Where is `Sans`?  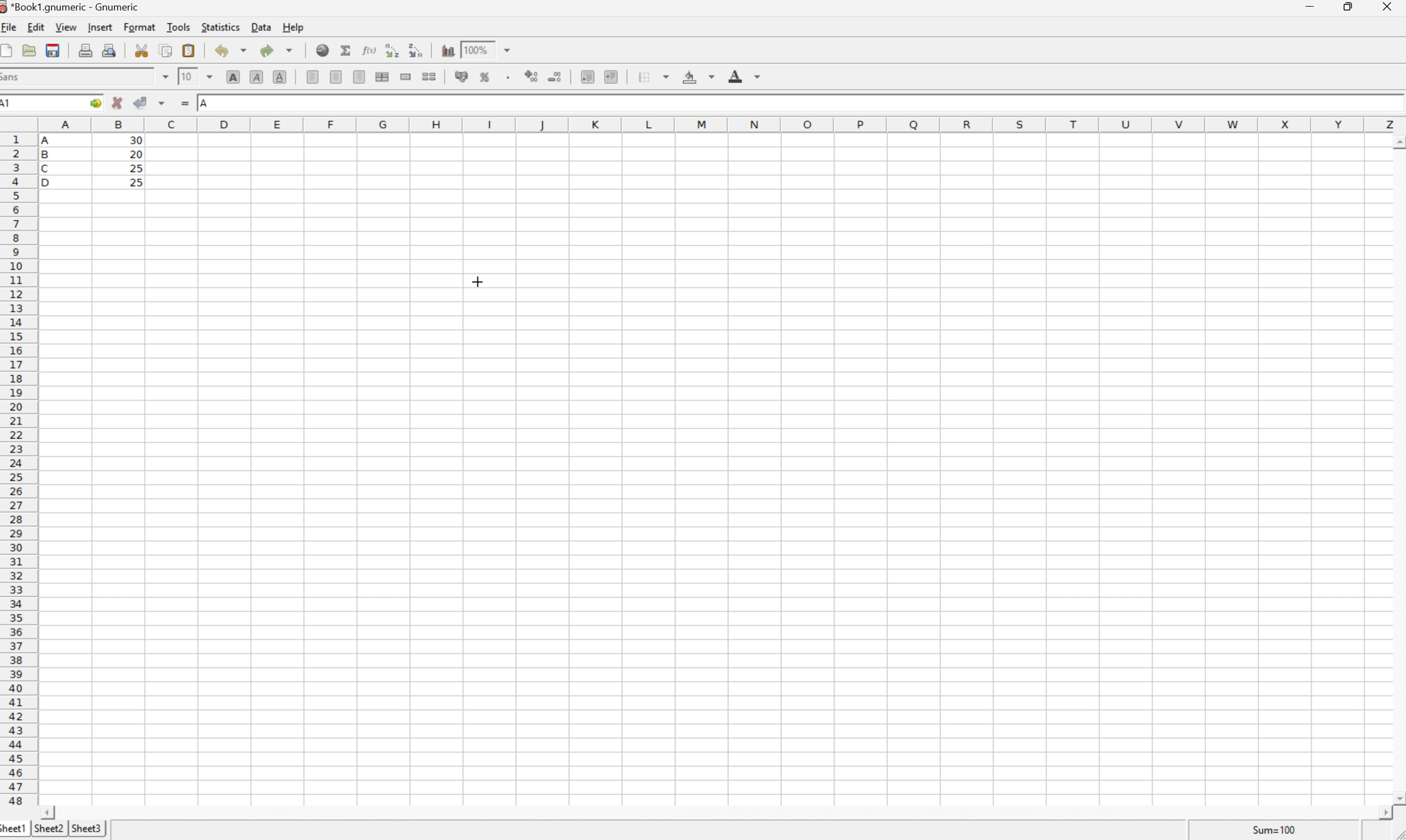
Sans is located at coordinates (12, 76).